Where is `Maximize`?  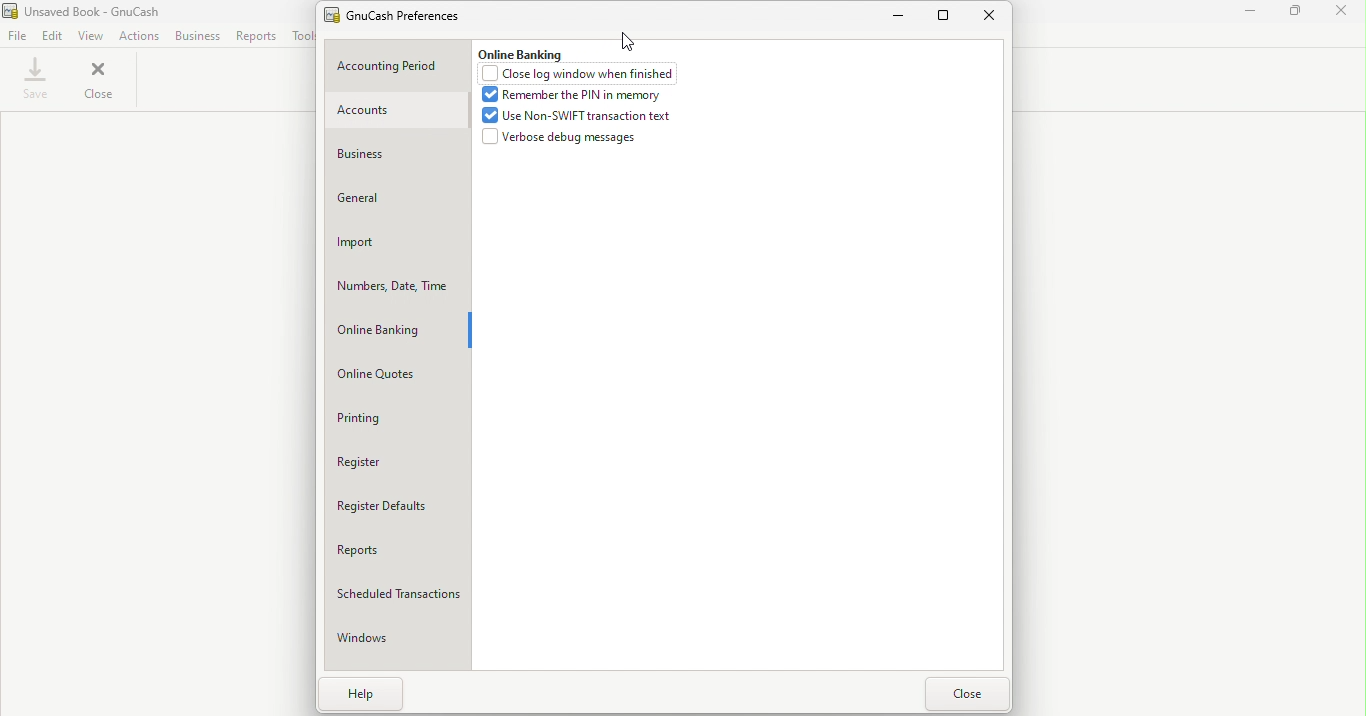
Maximize is located at coordinates (946, 14).